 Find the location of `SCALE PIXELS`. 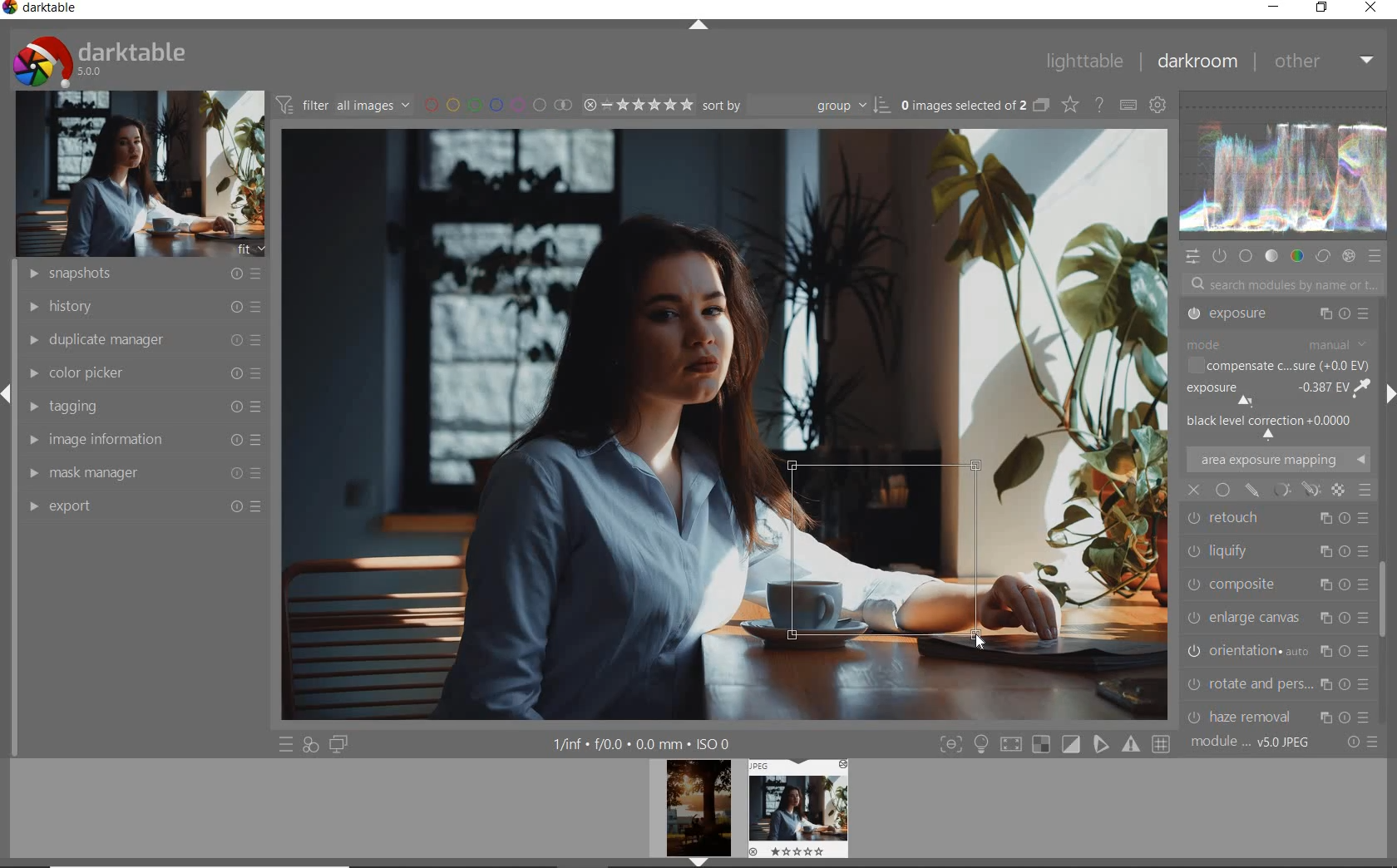

SCALE PIXELS is located at coordinates (1286, 712).